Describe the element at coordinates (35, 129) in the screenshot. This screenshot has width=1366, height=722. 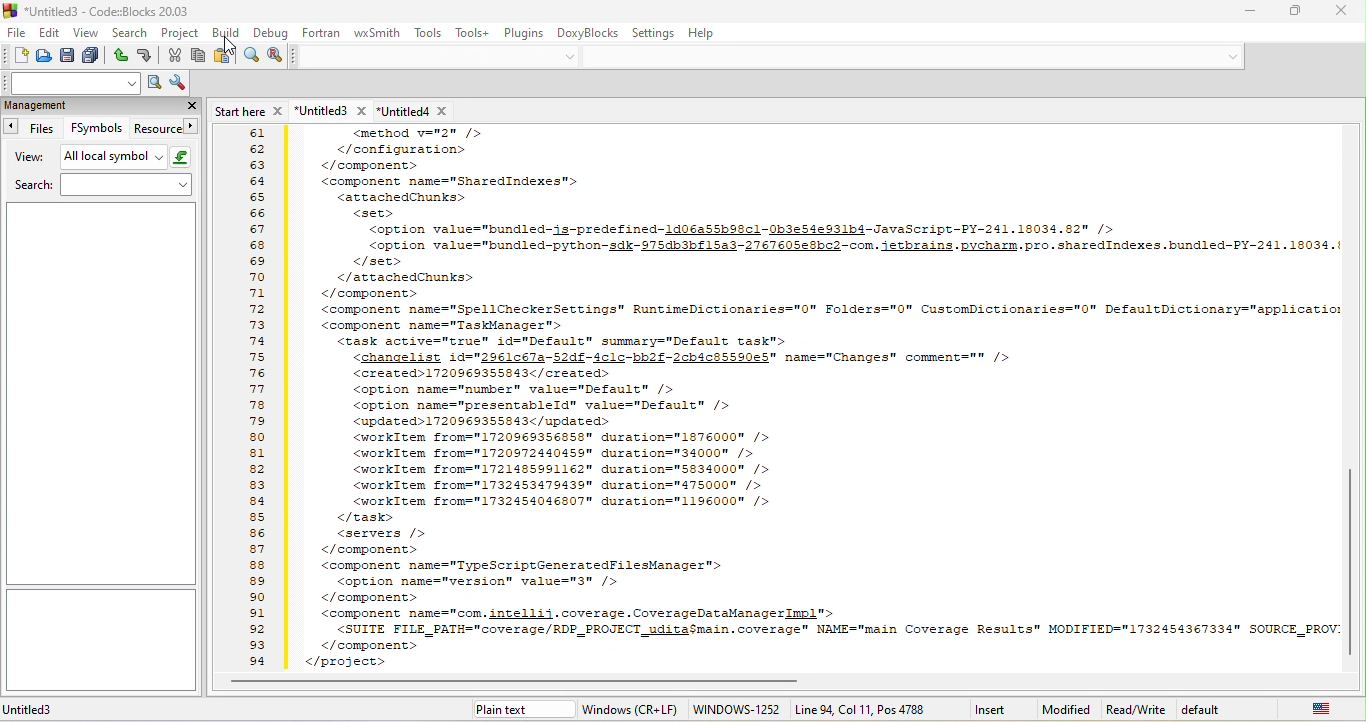
I see `files` at that location.